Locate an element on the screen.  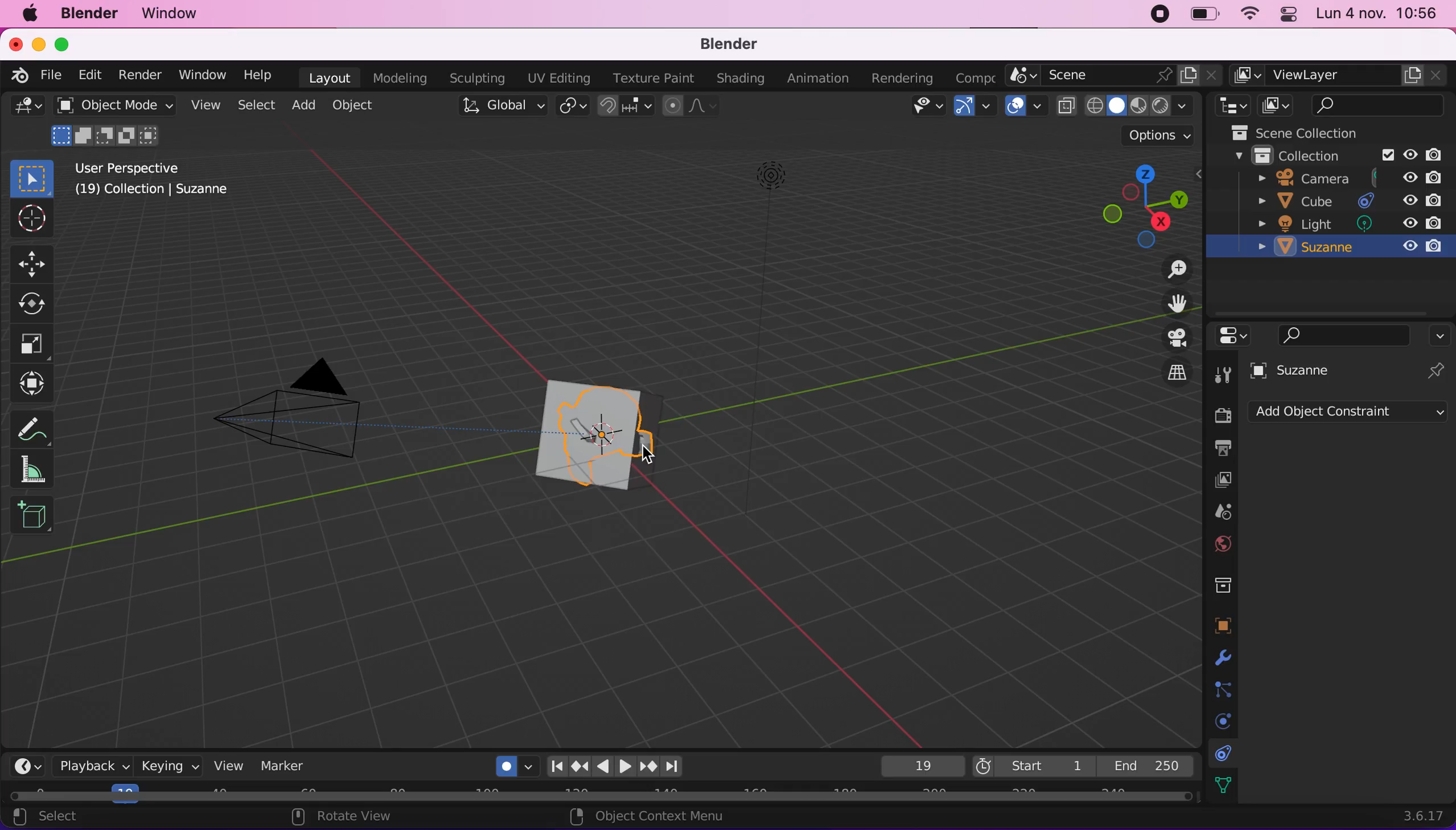
select is located at coordinates (59, 818).